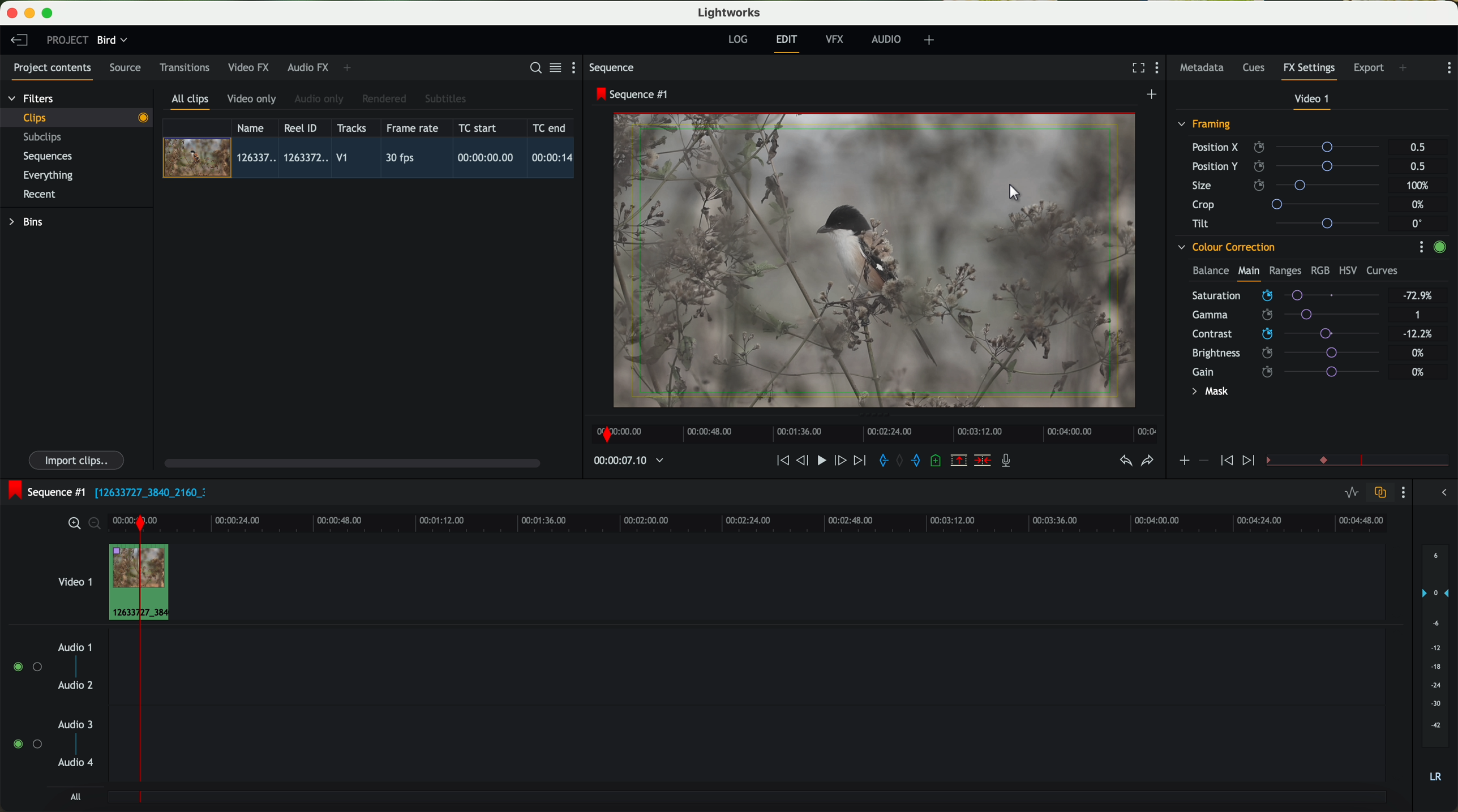 The image size is (1458, 812). I want to click on project, so click(67, 40).